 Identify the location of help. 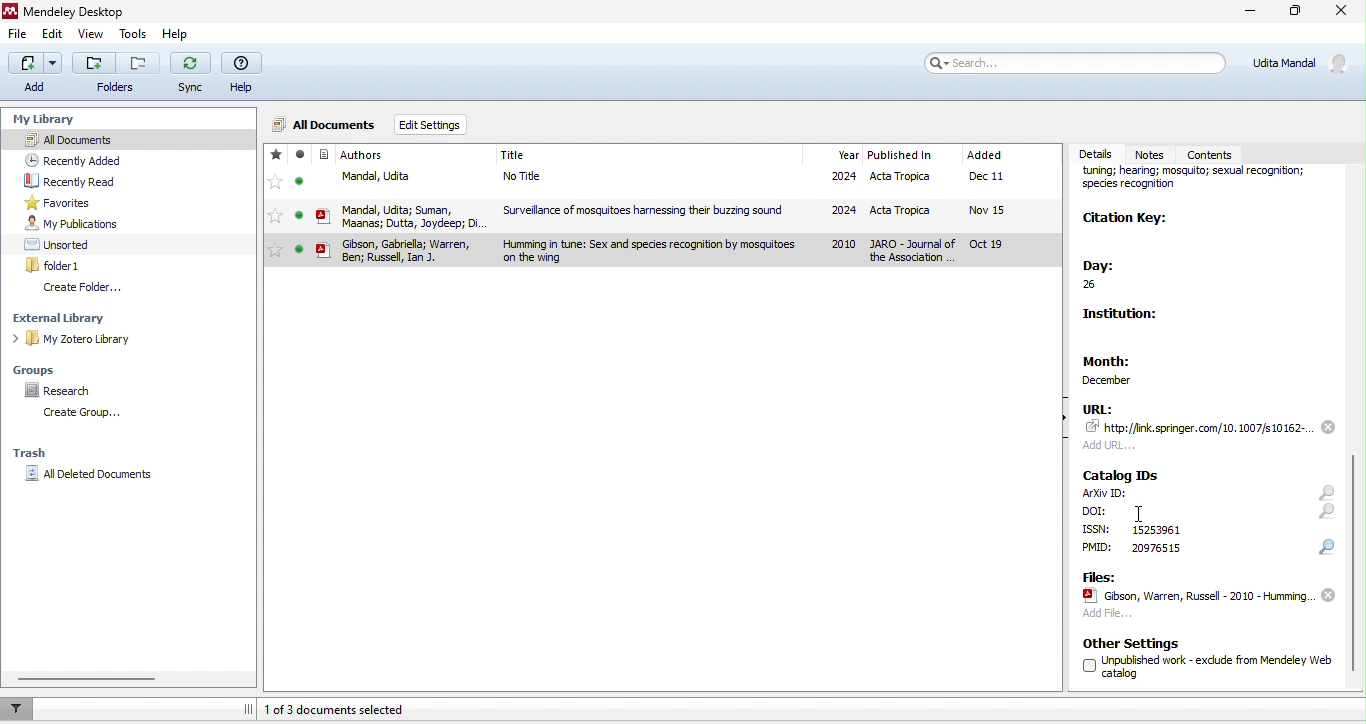
(245, 74).